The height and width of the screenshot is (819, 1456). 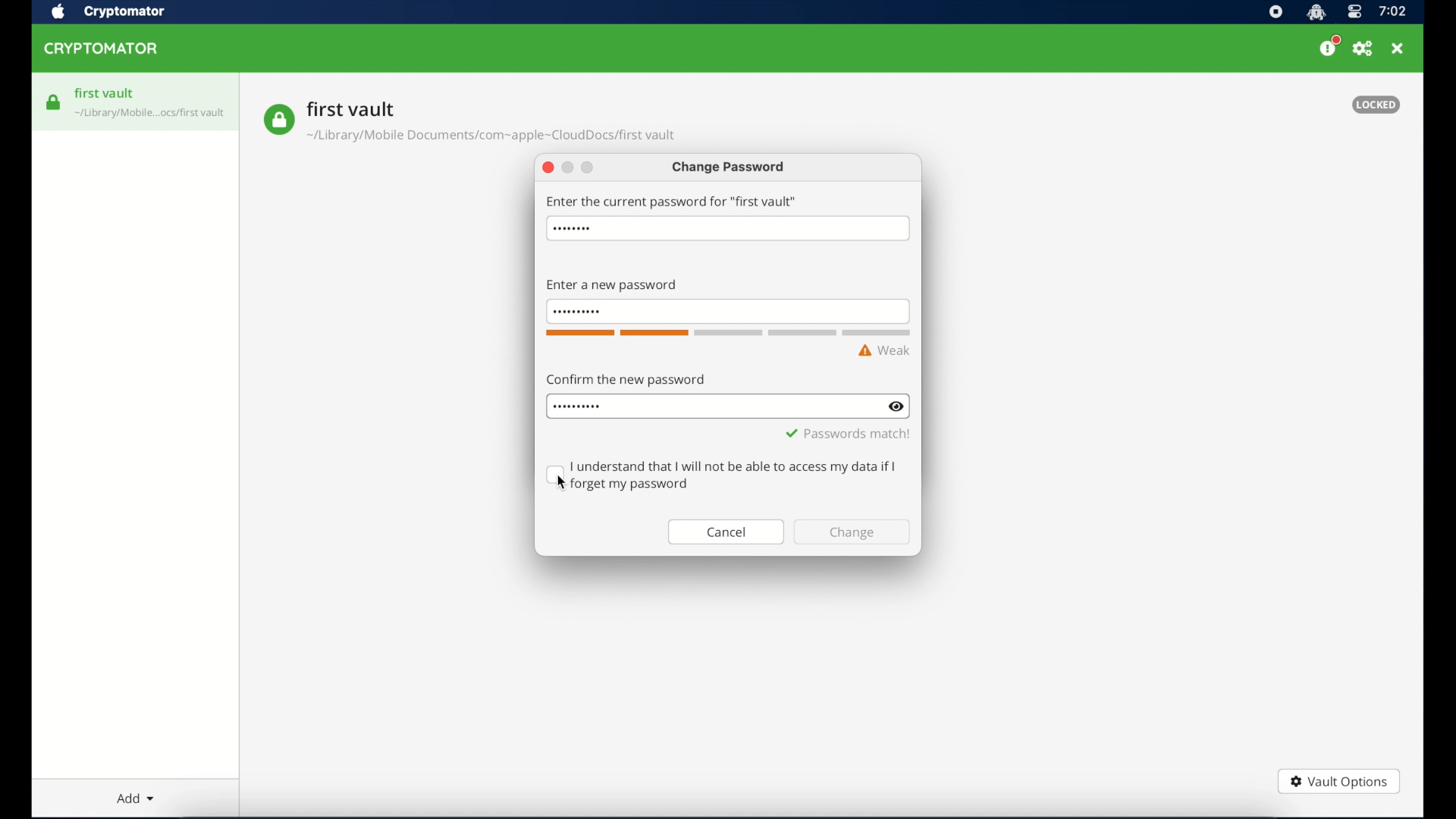 I want to click on cryptomator, so click(x=102, y=49).